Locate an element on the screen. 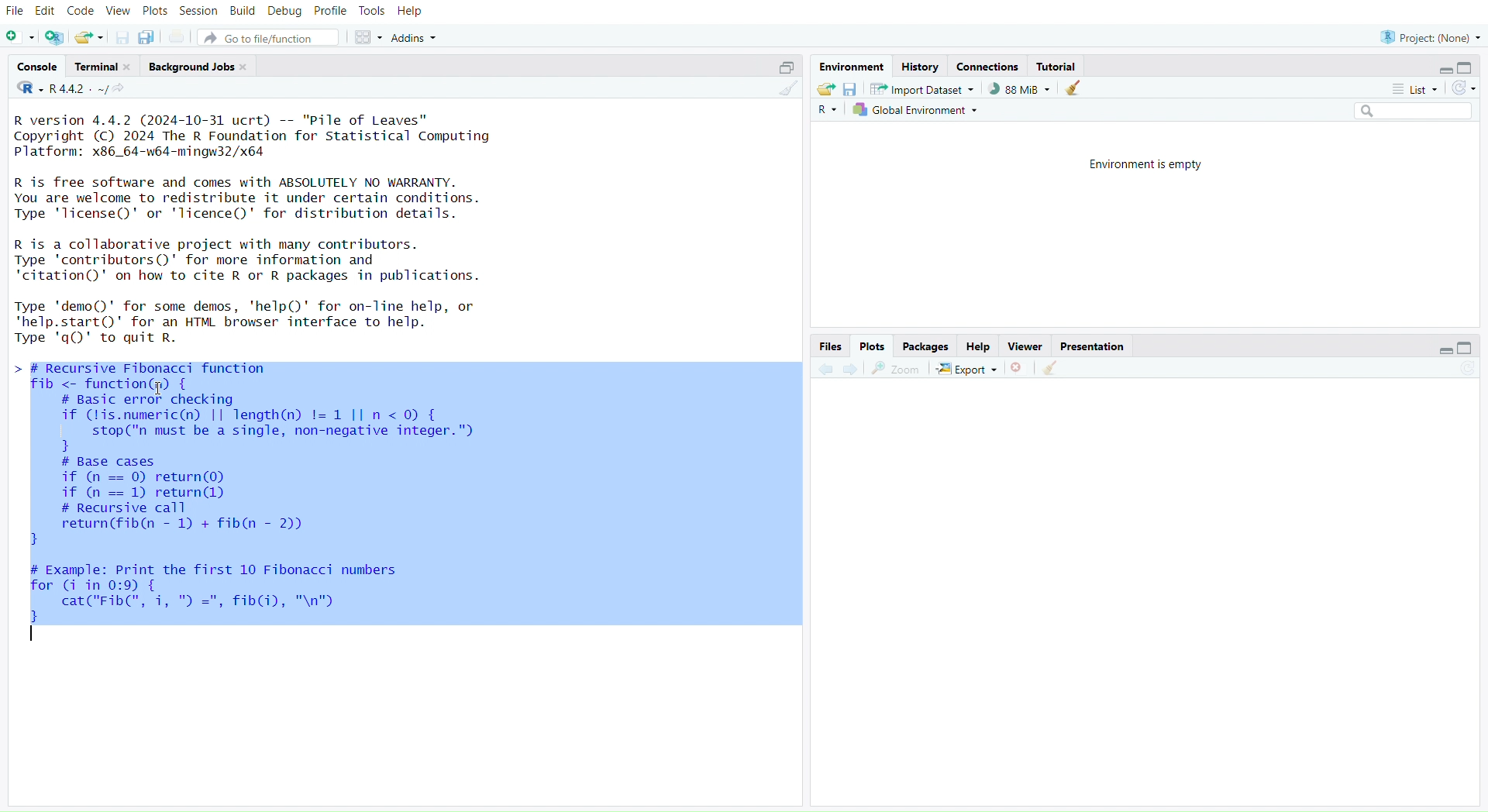 The image size is (1488, 812). import dataset is located at coordinates (923, 89).